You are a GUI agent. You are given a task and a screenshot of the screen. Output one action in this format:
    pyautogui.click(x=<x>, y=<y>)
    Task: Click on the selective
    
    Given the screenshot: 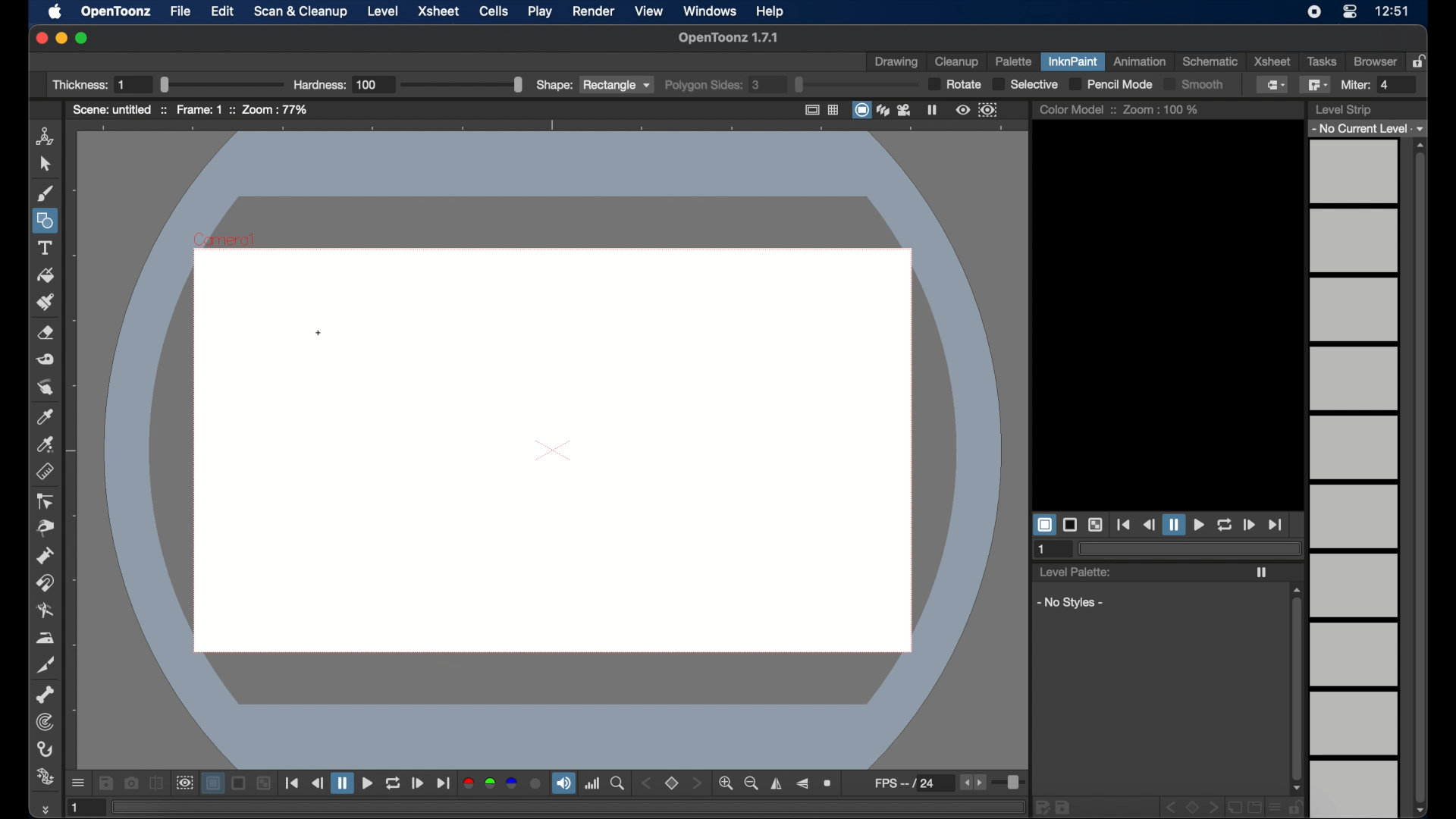 What is the action you would take?
    pyautogui.click(x=1027, y=86)
    